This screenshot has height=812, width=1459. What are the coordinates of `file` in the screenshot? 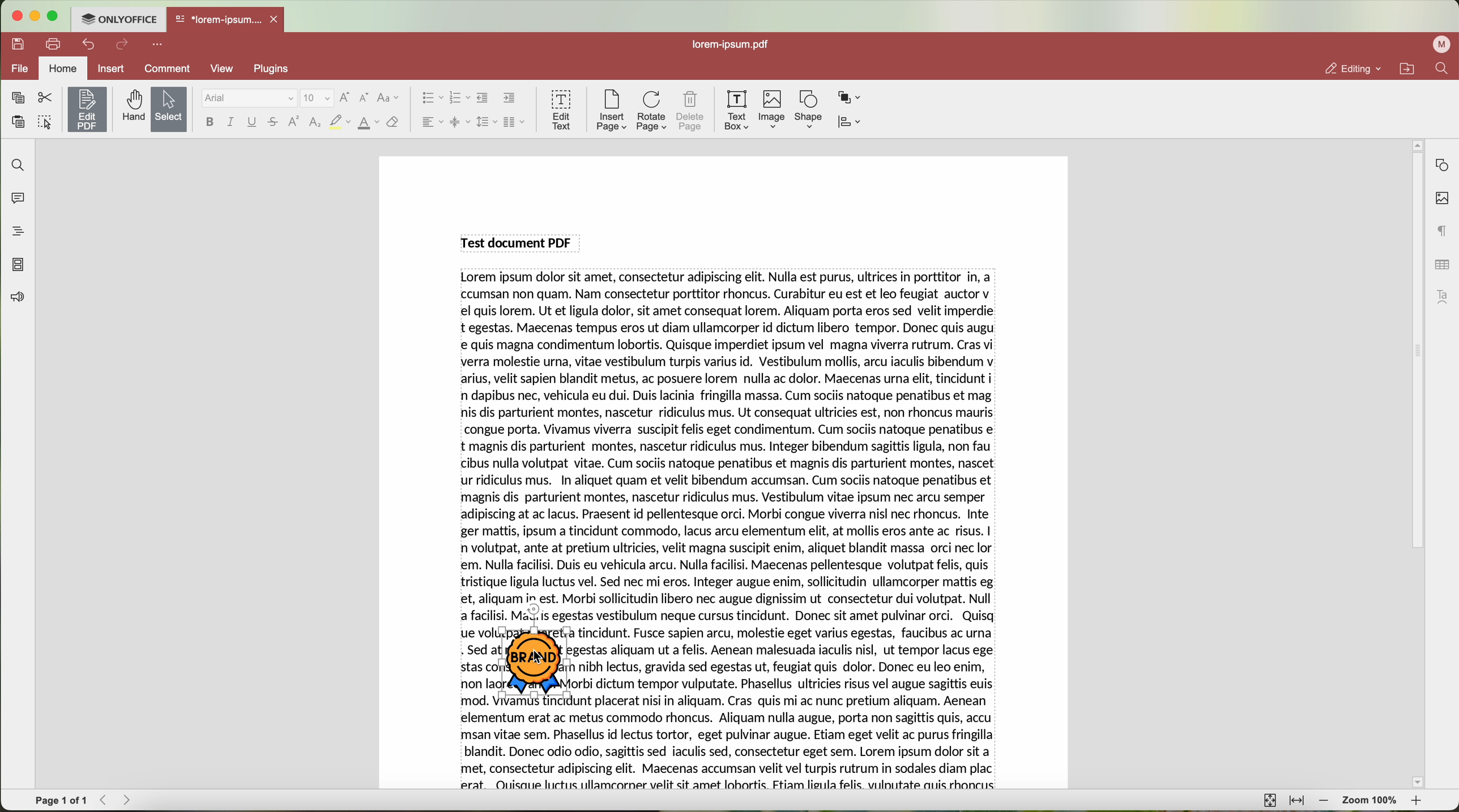 It's located at (18, 70).